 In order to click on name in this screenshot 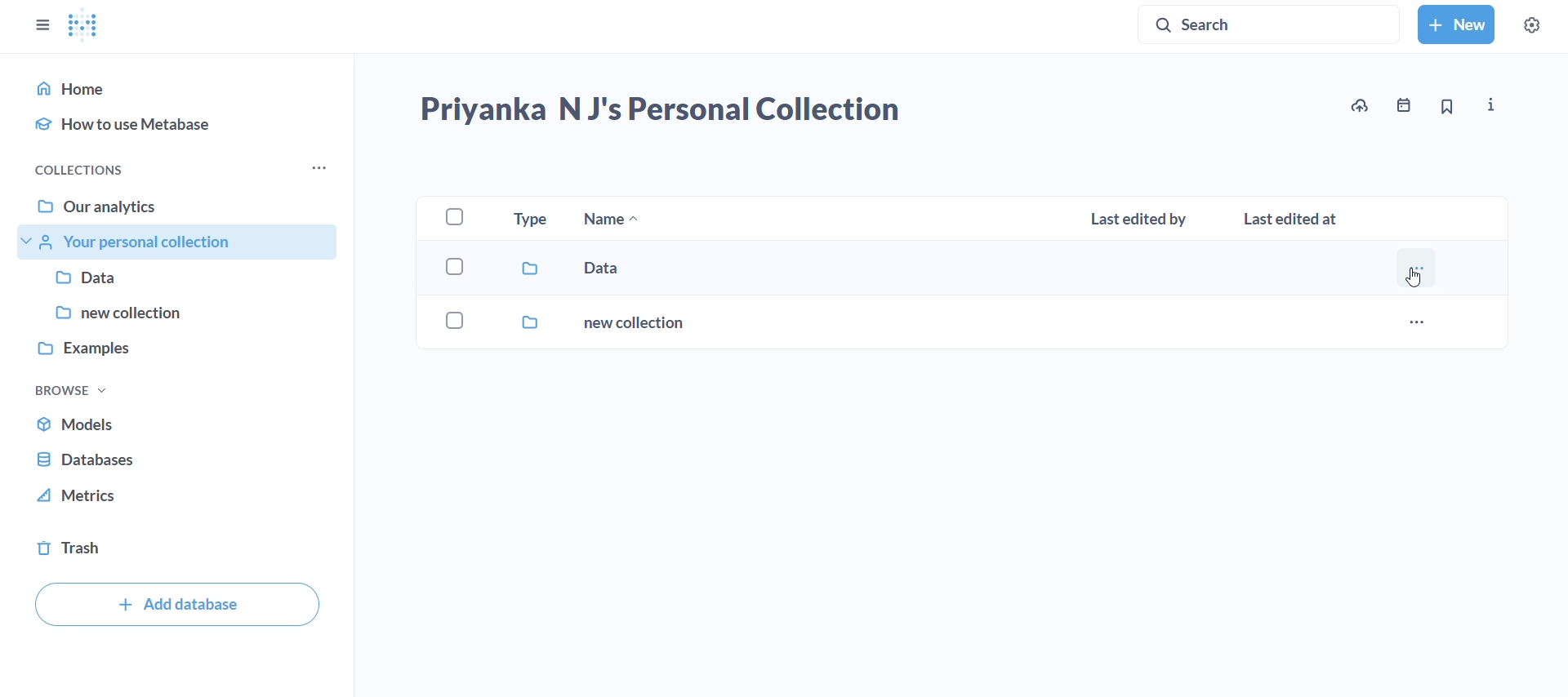, I will do `click(611, 220)`.